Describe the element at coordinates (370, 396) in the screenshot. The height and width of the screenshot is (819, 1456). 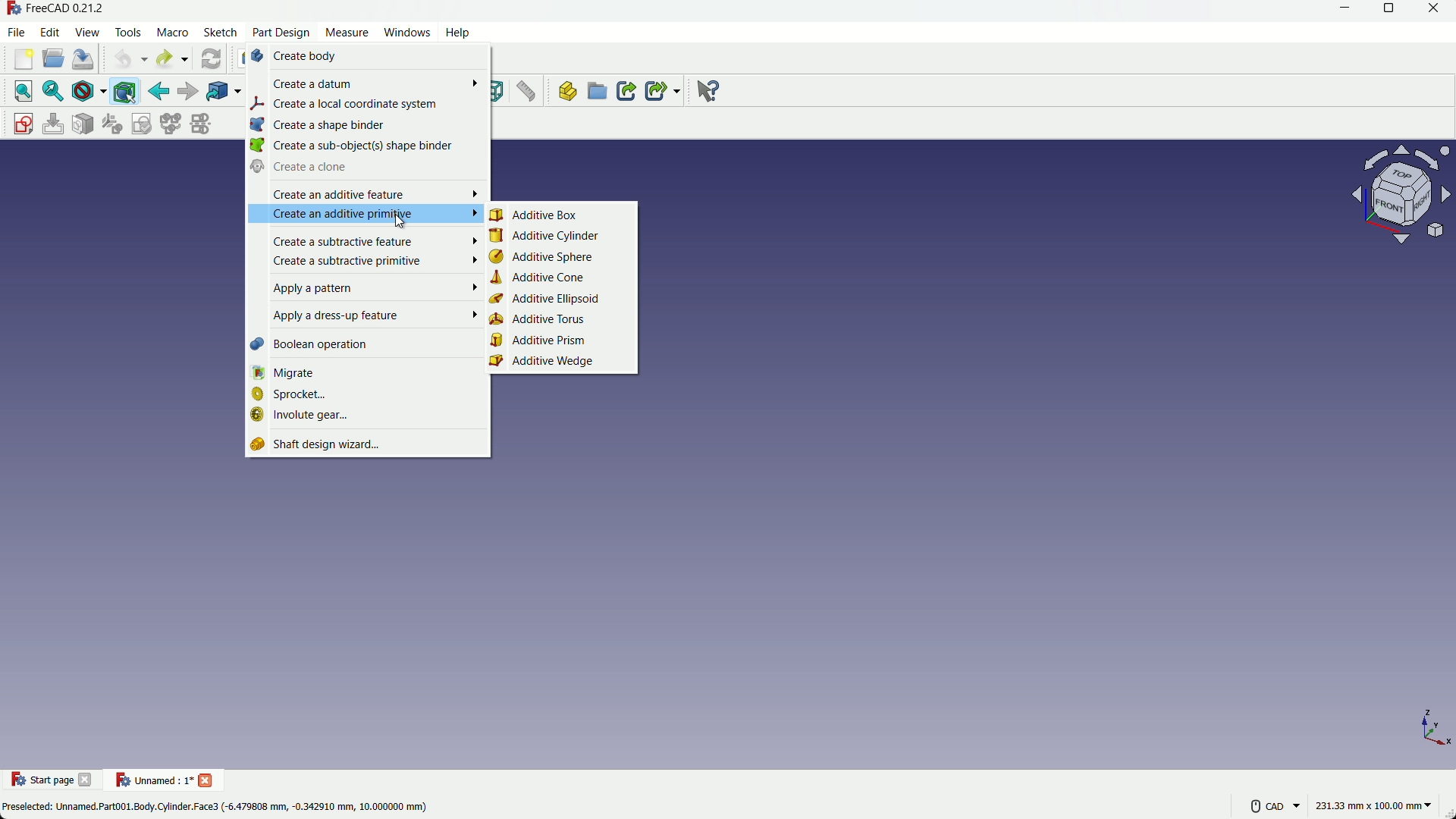
I see `sprocket` at that location.